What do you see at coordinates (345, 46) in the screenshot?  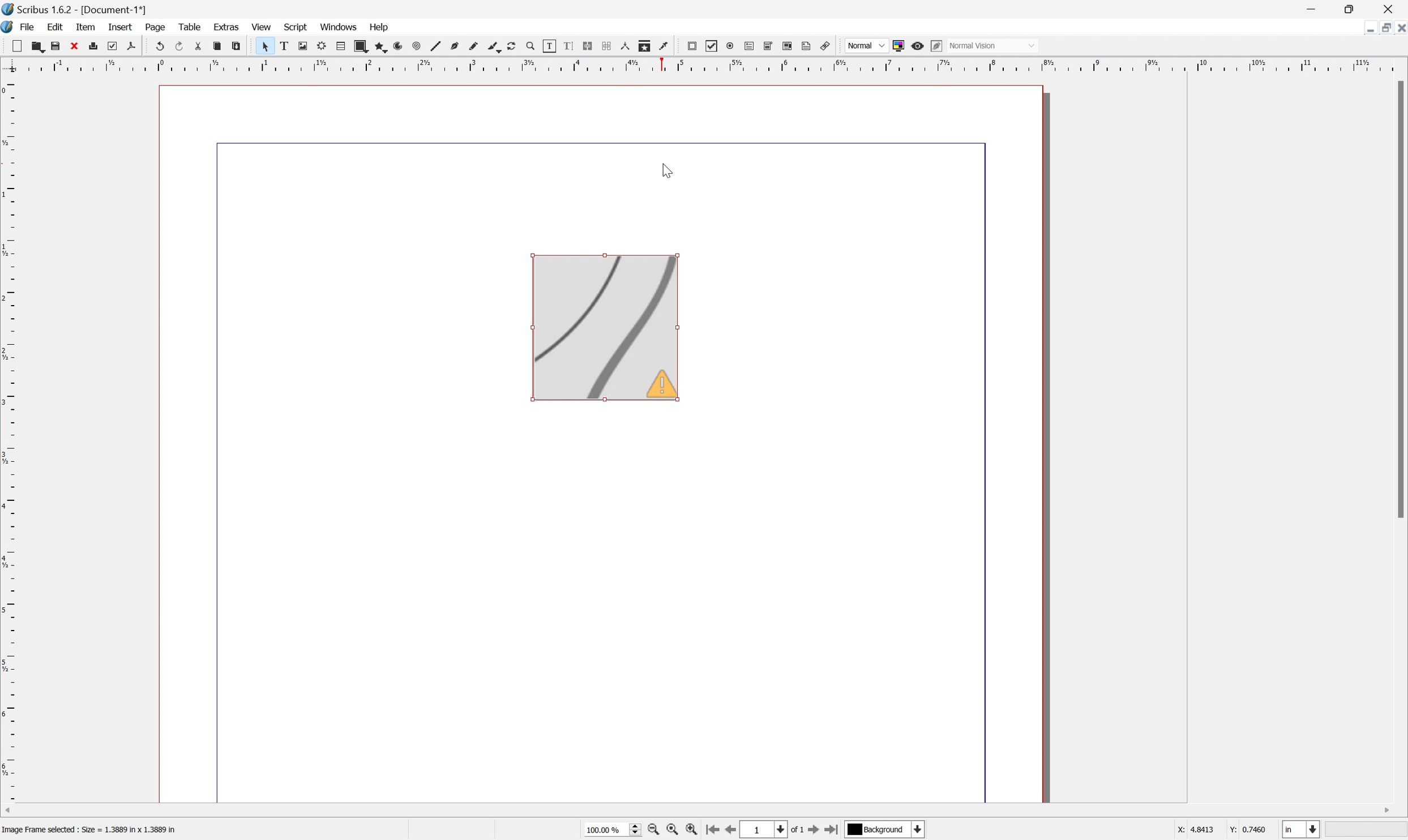 I see `Table` at bounding box center [345, 46].